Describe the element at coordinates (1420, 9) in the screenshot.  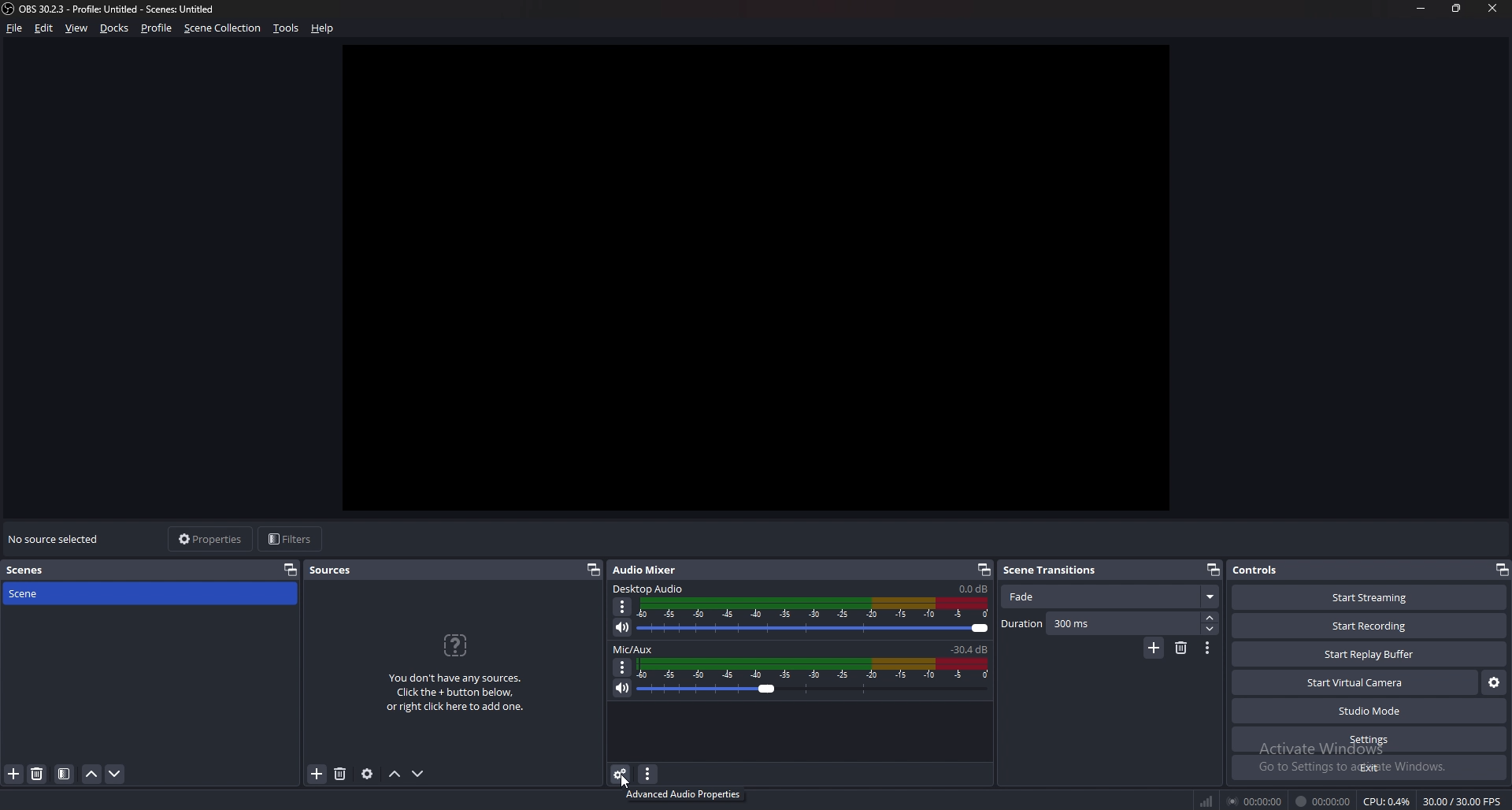
I see `minimize` at that location.